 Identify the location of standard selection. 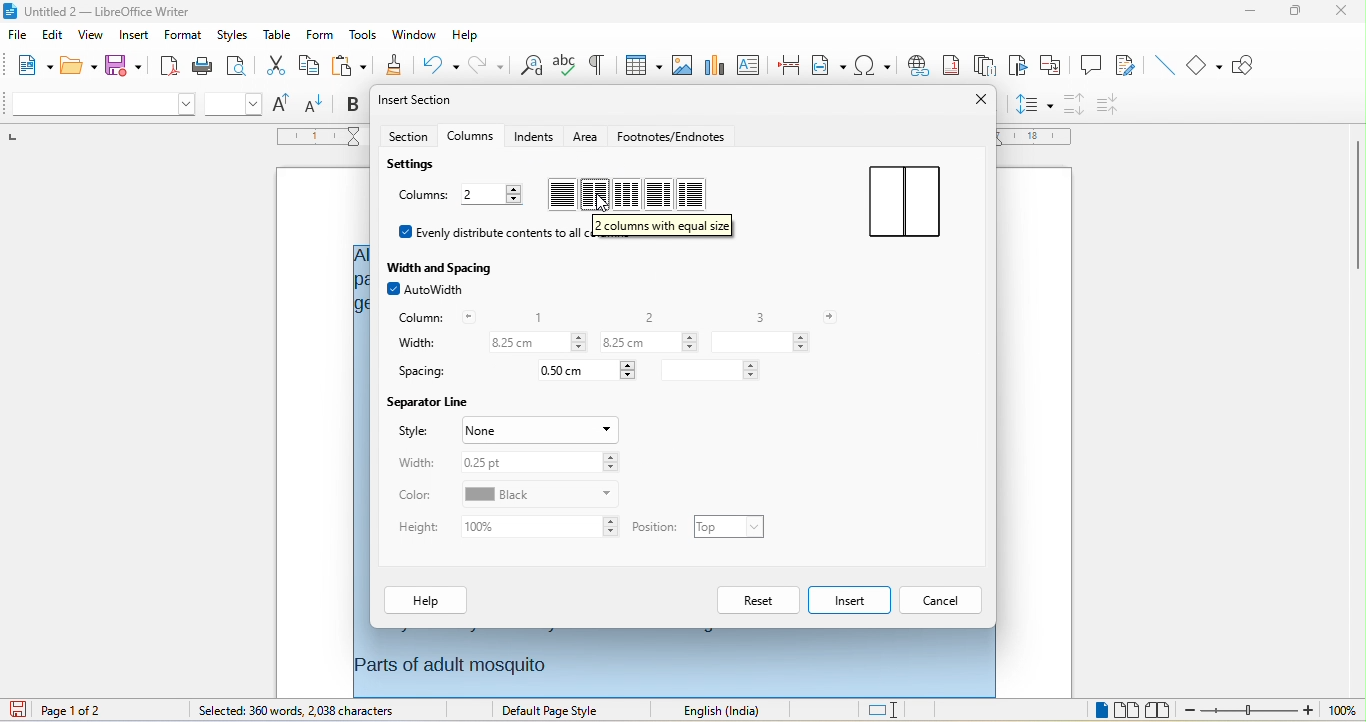
(890, 710).